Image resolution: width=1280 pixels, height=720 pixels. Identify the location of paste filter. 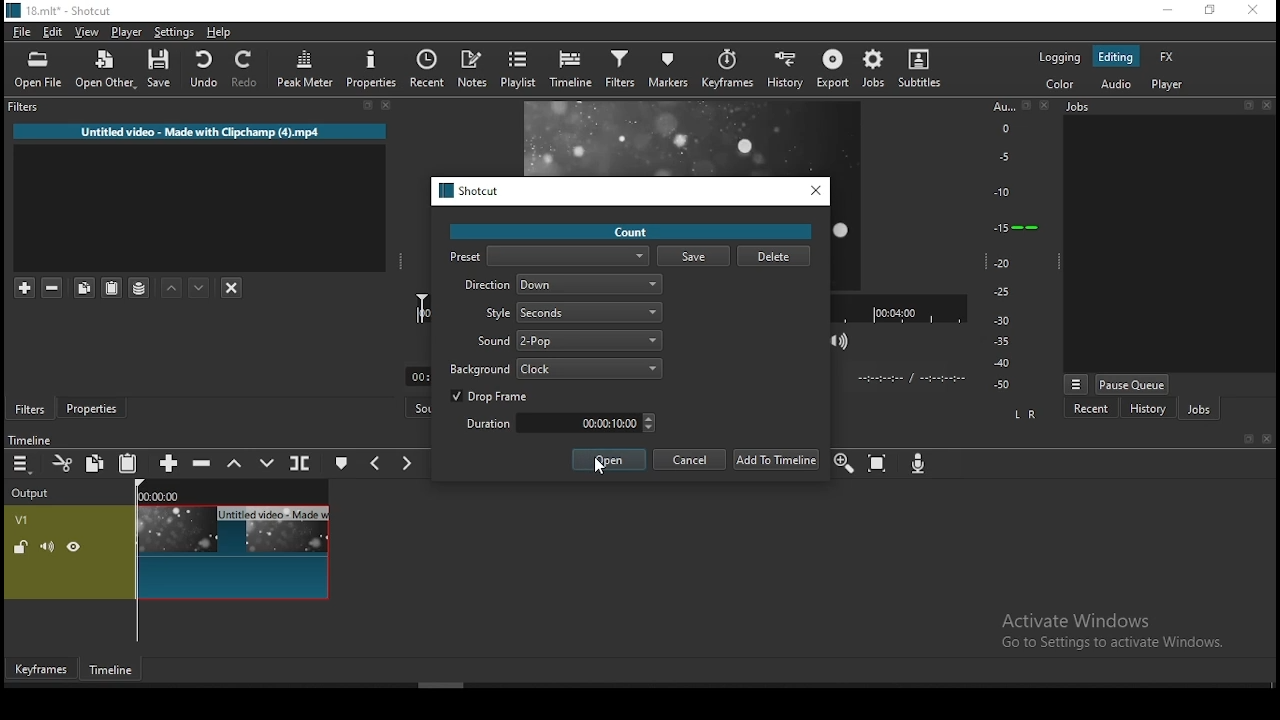
(113, 287).